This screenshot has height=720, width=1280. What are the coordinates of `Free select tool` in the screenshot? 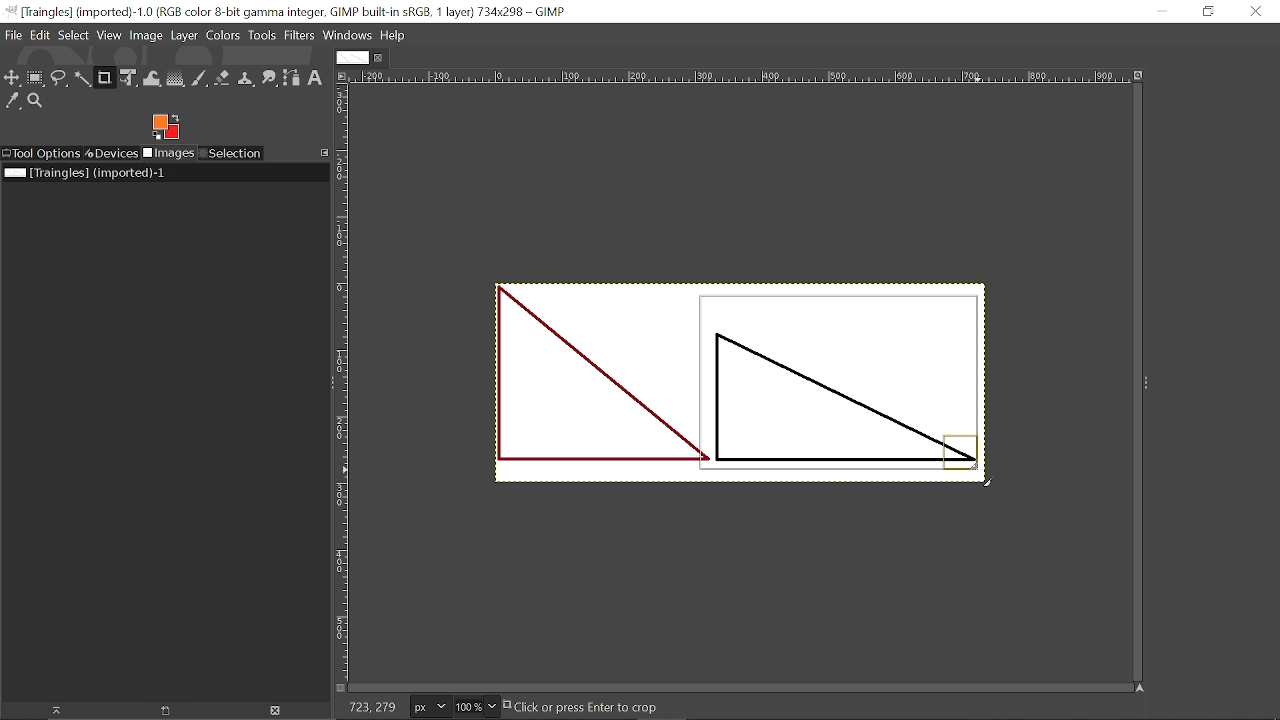 It's located at (60, 79).